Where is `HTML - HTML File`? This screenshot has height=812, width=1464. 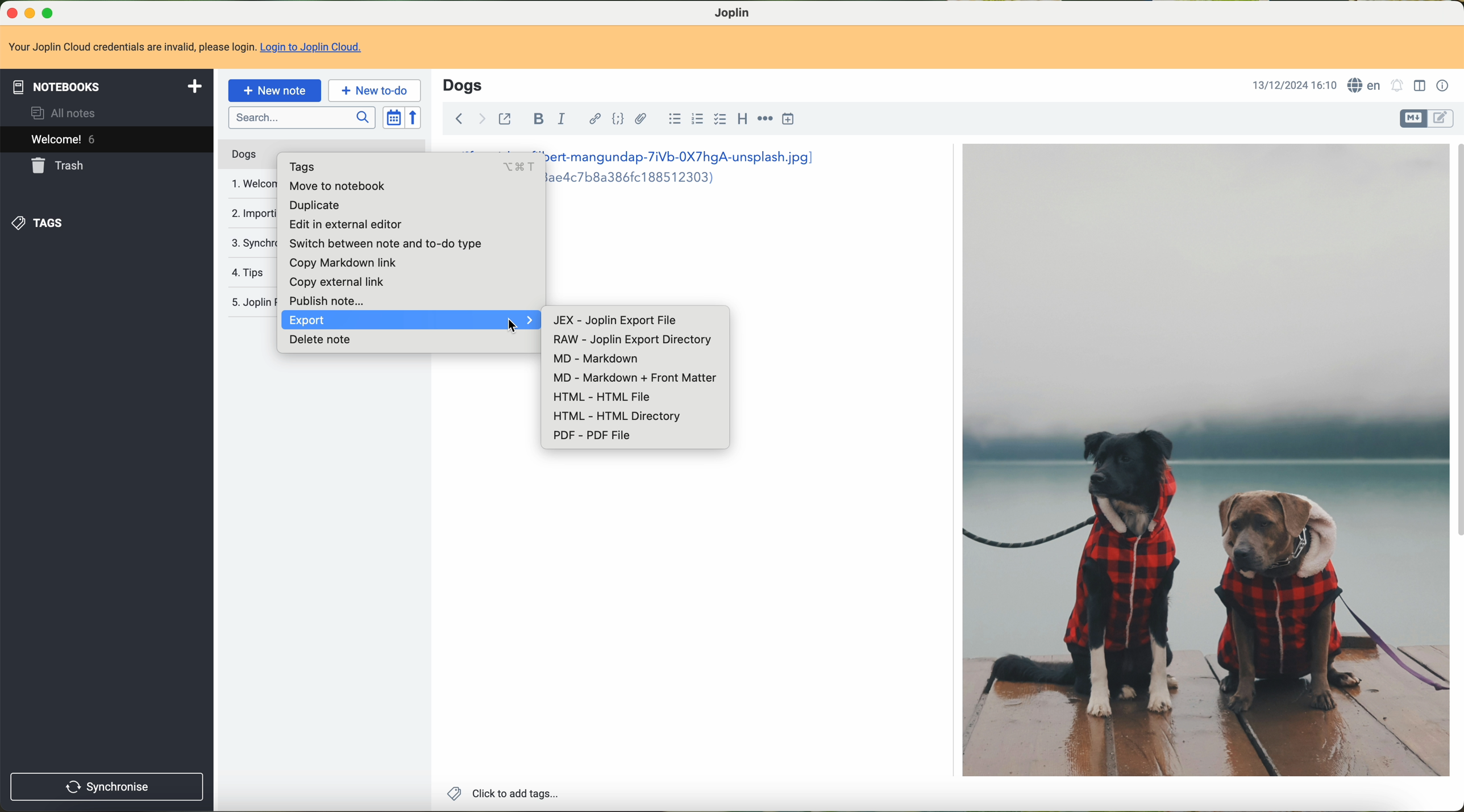 HTML - HTML File is located at coordinates (602, 397).